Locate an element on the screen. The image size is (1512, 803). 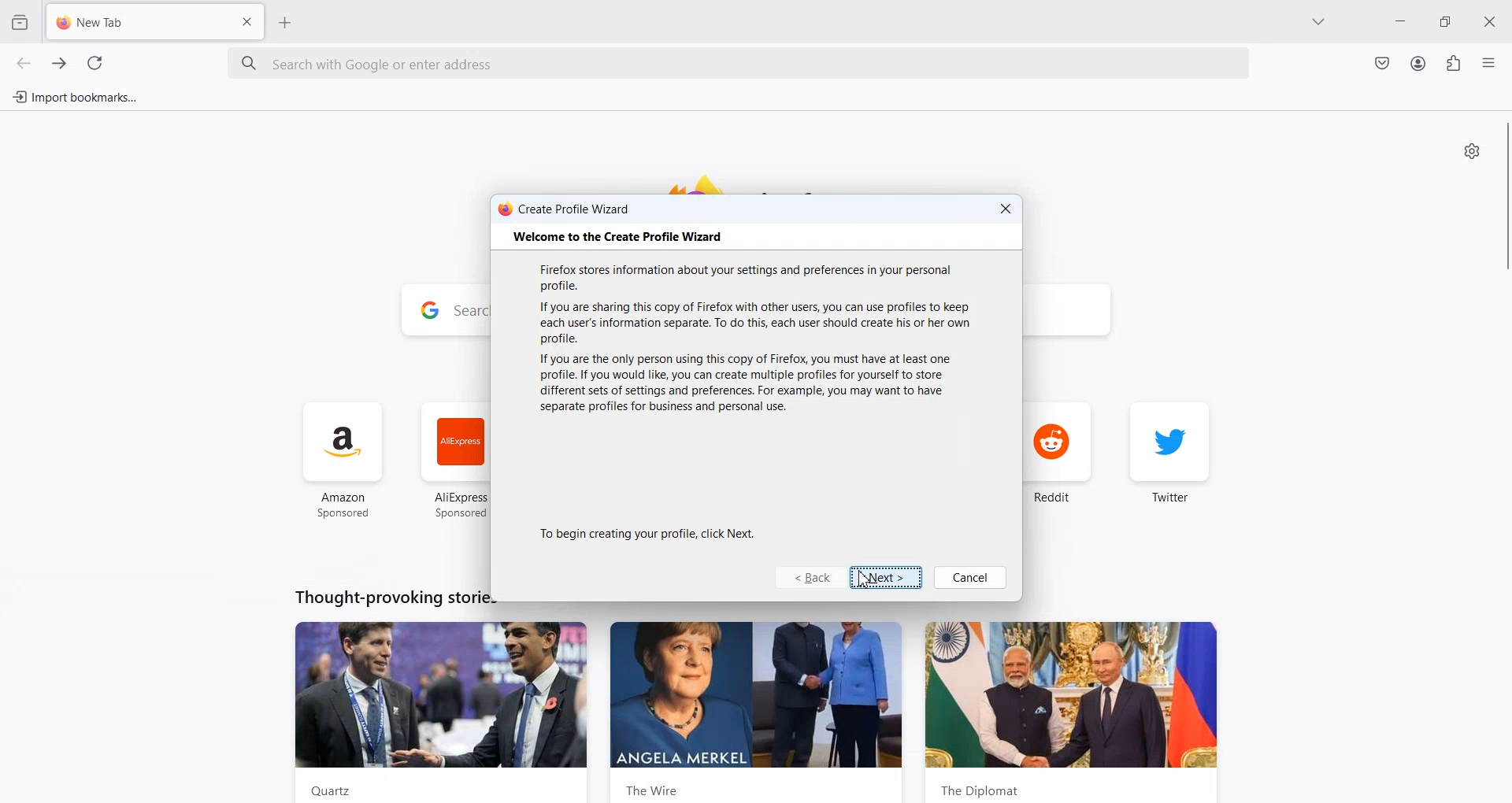
reddit is located at coordinates (1058, 452).